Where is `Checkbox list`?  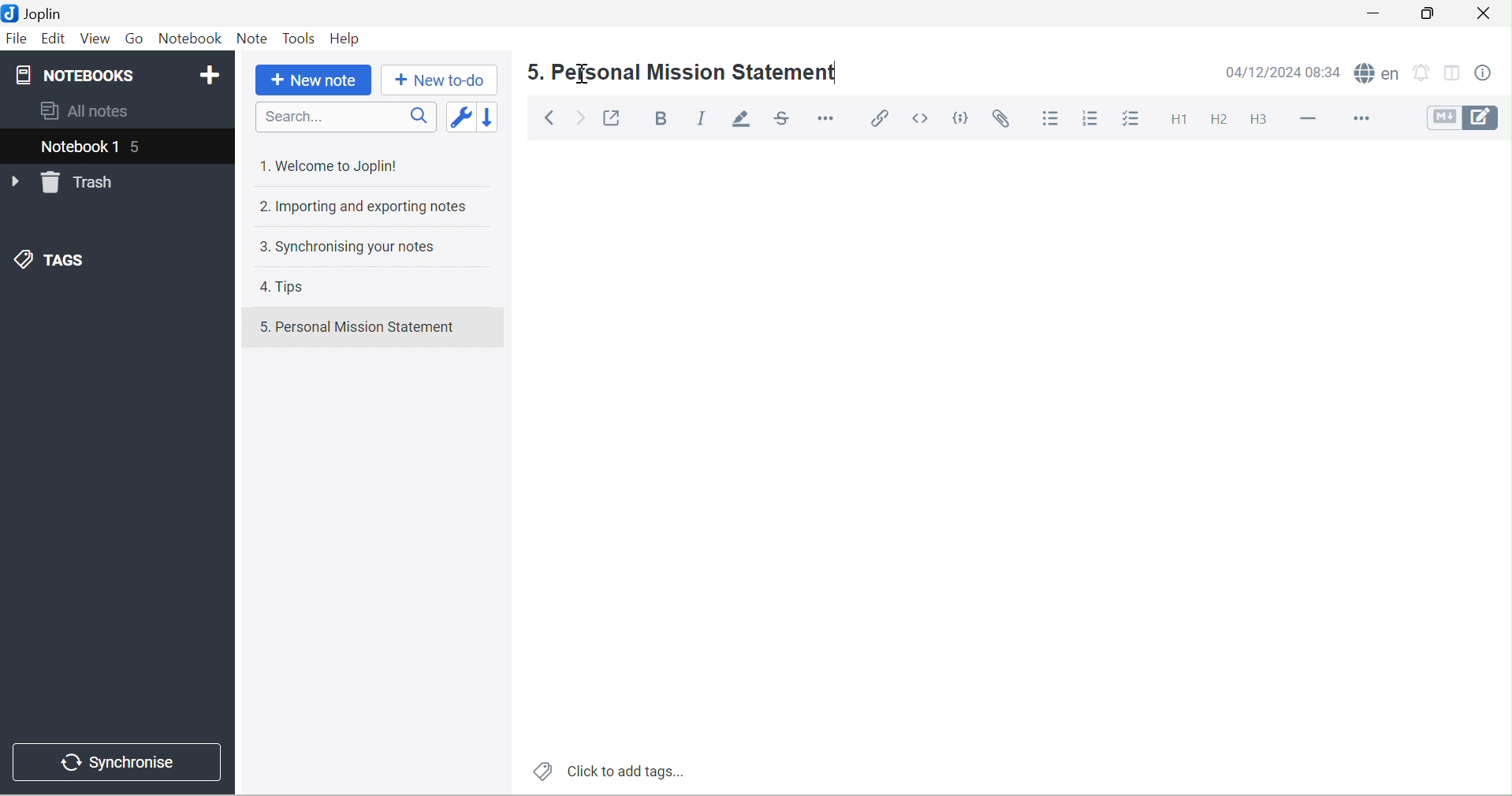
Checkbox list is located at coordinates (1134, 119).